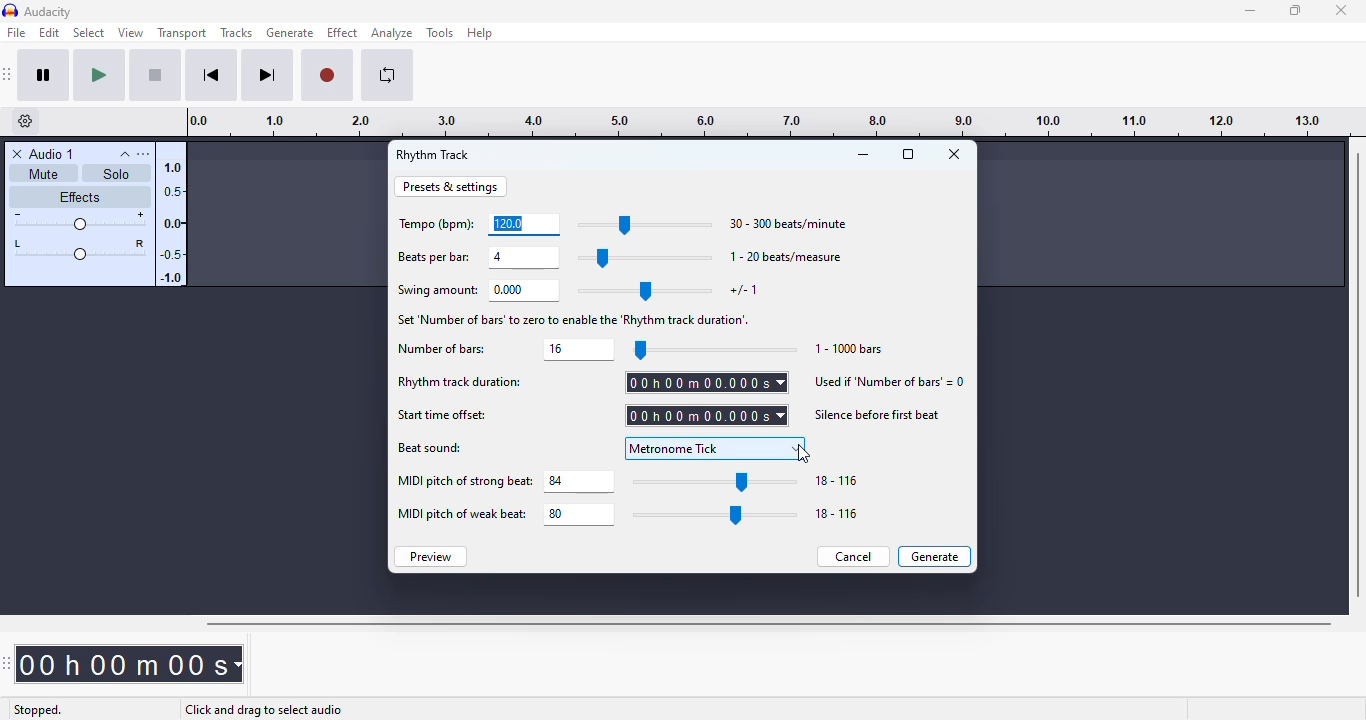  Describe the element at coordinates (50, 32) in the screenshot. I see `edit` at that location.